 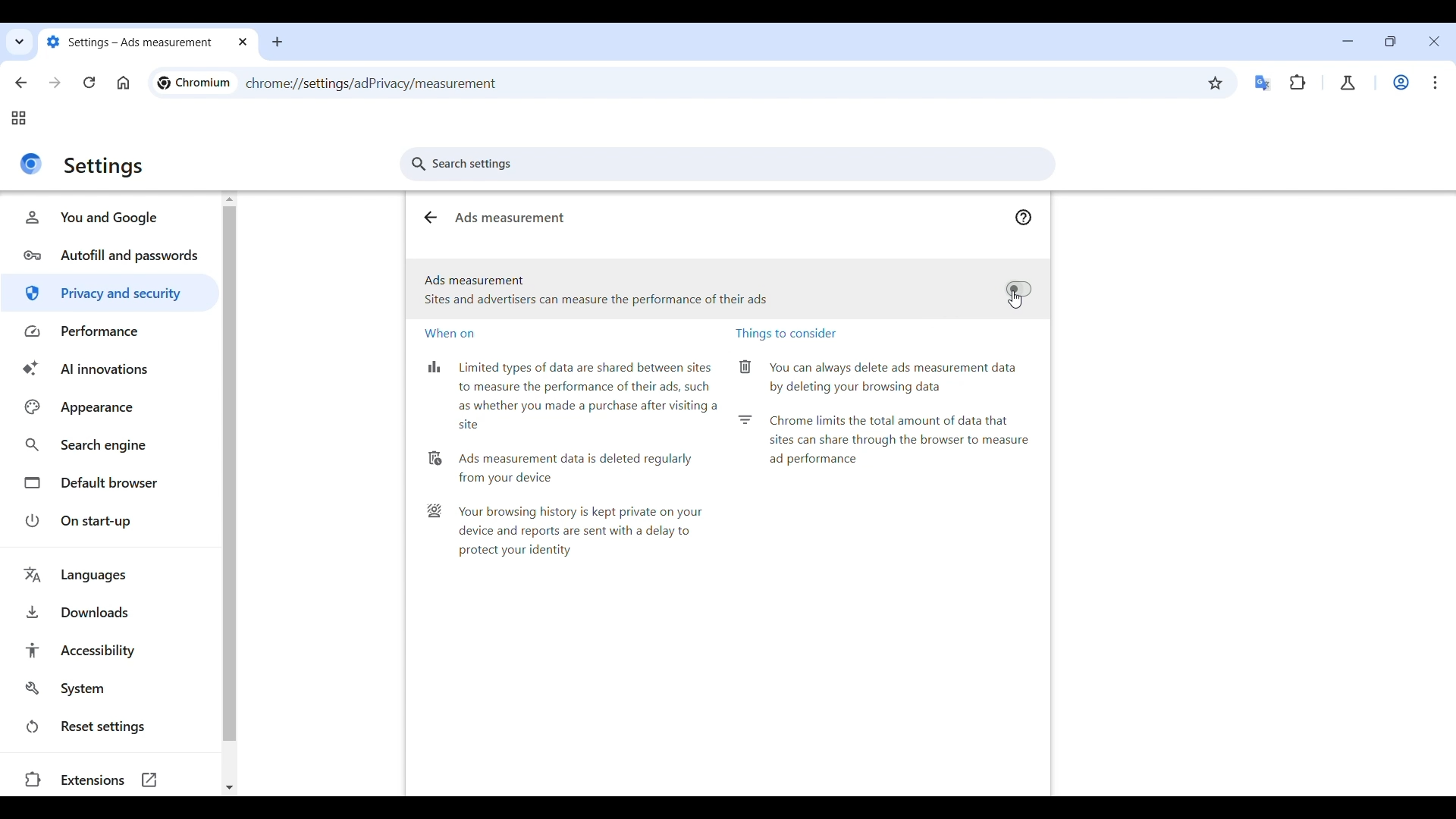 I want to click on Reset settings, so click(x=109, y=726).